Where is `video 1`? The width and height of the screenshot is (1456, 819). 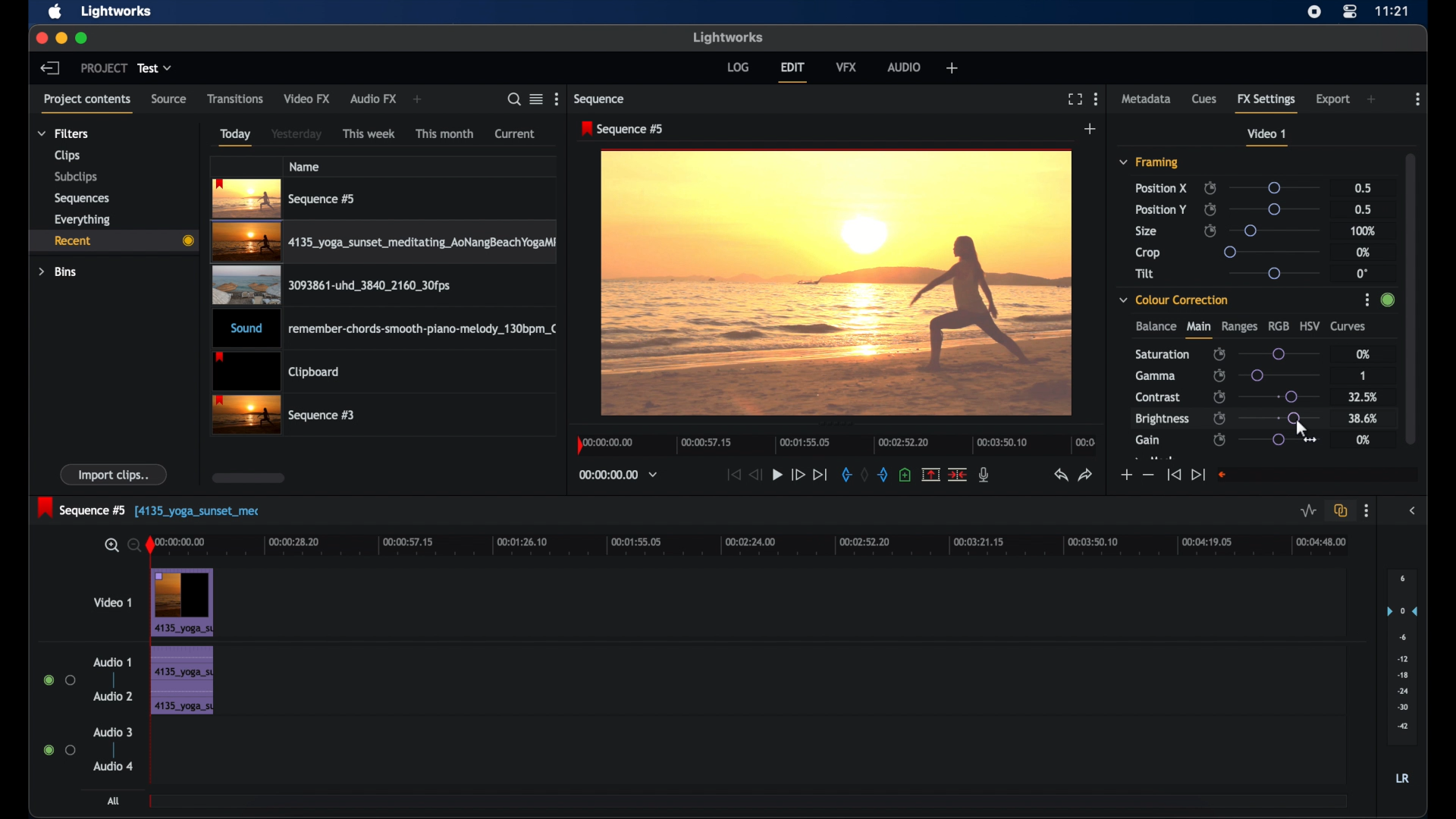
video 1 is located at coordinates (1266, 137).